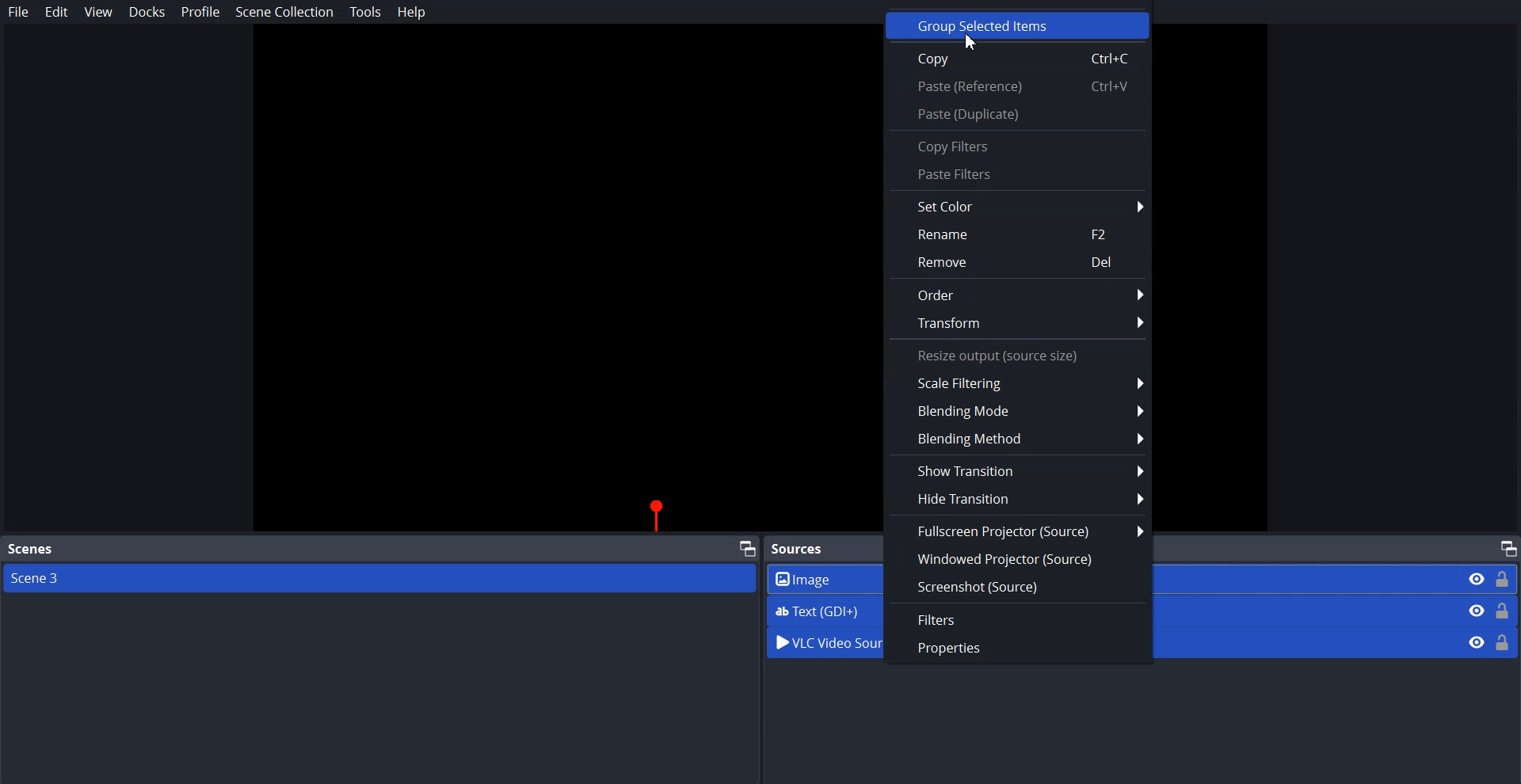  I want to click on Group Selected items, so click(1017, 25).